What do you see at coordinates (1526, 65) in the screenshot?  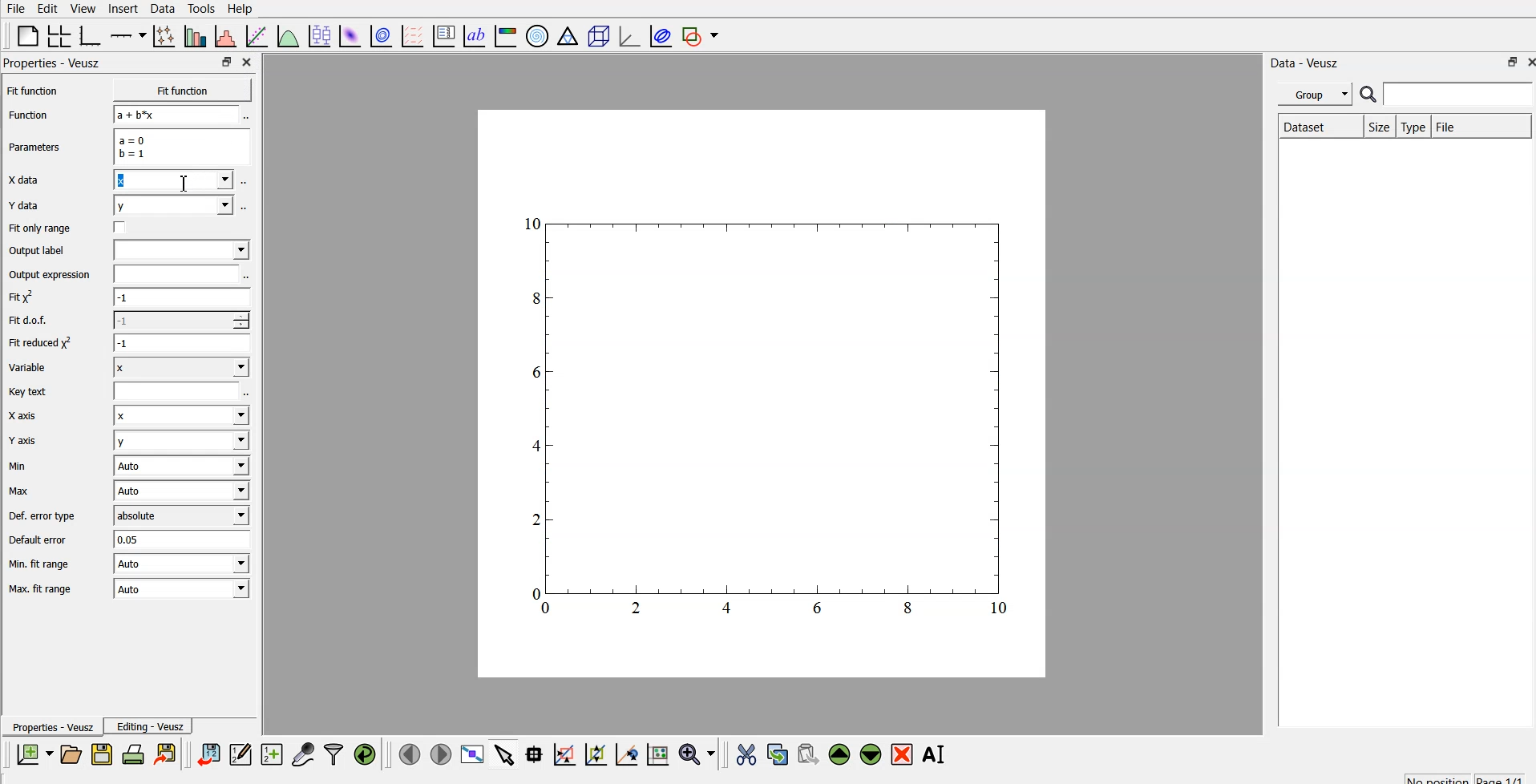 I see `close` at bounding box center [1526, 65].